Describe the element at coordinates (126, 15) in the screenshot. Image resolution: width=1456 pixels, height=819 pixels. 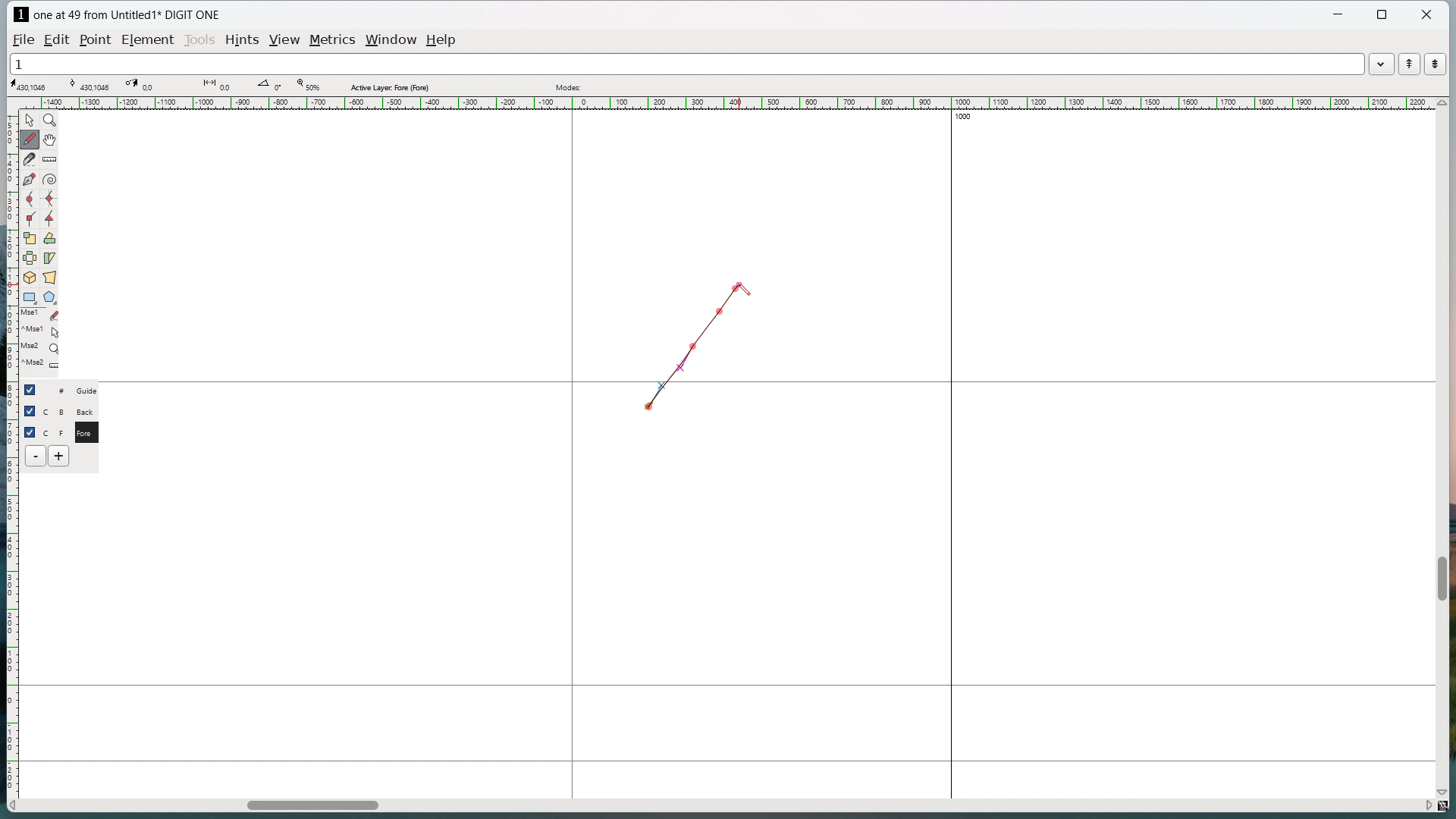
I see `one at 49 from Untitled1 DIGIT ONE` at that location.